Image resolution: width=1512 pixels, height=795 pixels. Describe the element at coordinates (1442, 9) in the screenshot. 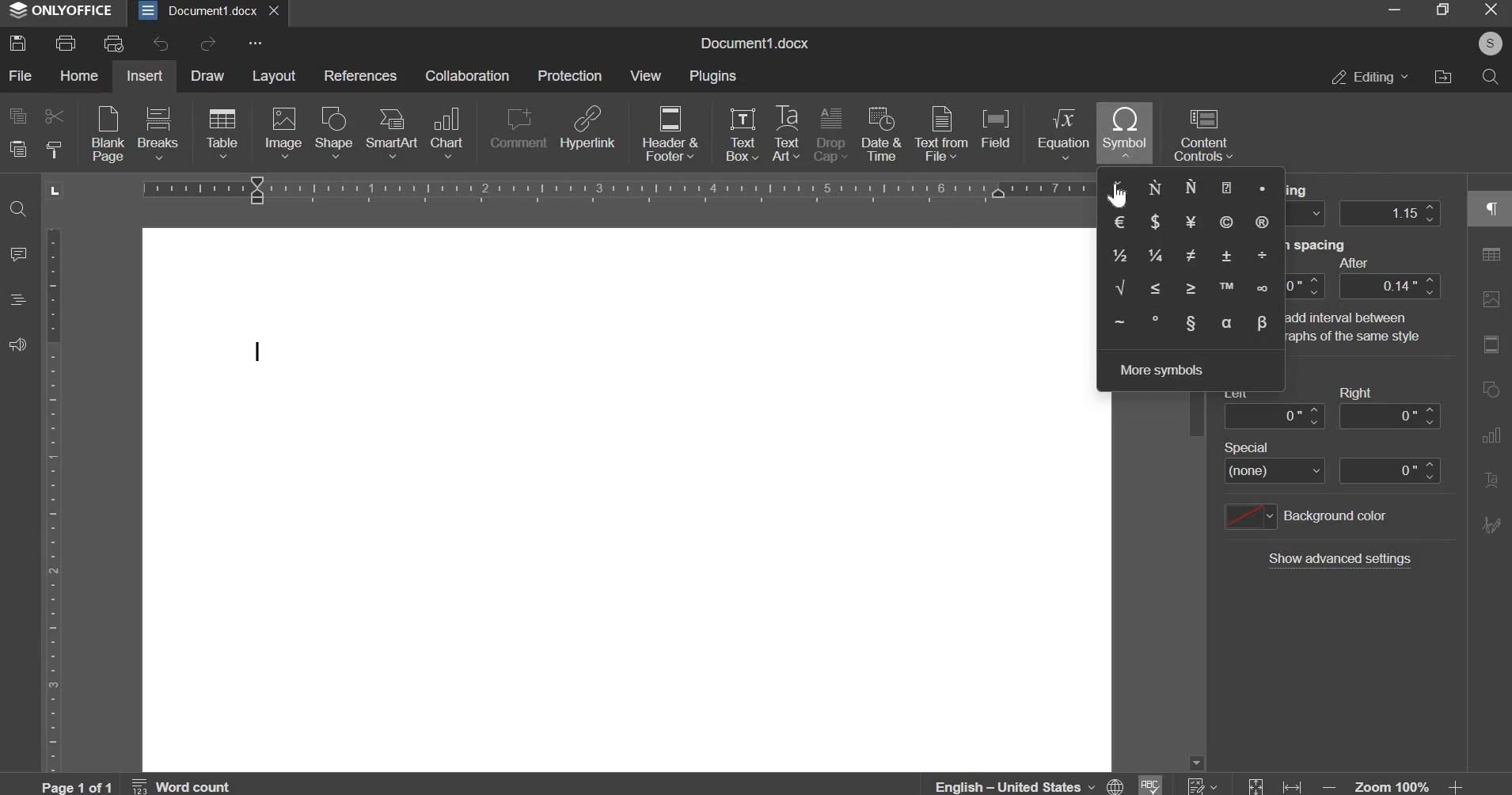

I see `maximize` at that location.